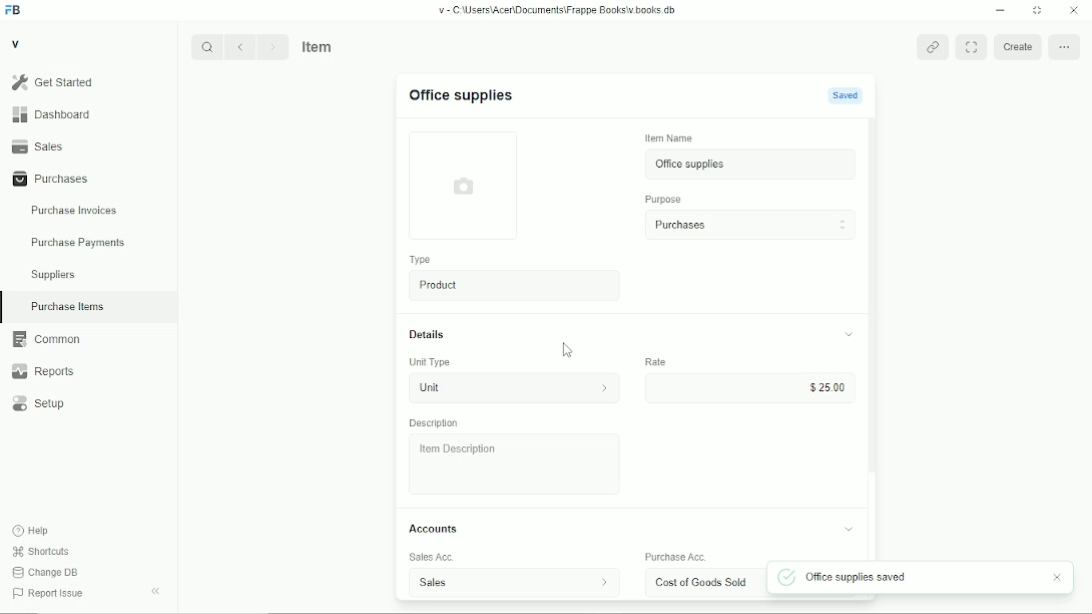 The height and width of the screenshot is (614, 1092). Describe the element at coordinates (273, 46) in the screenshot. I see `Next` at that location.